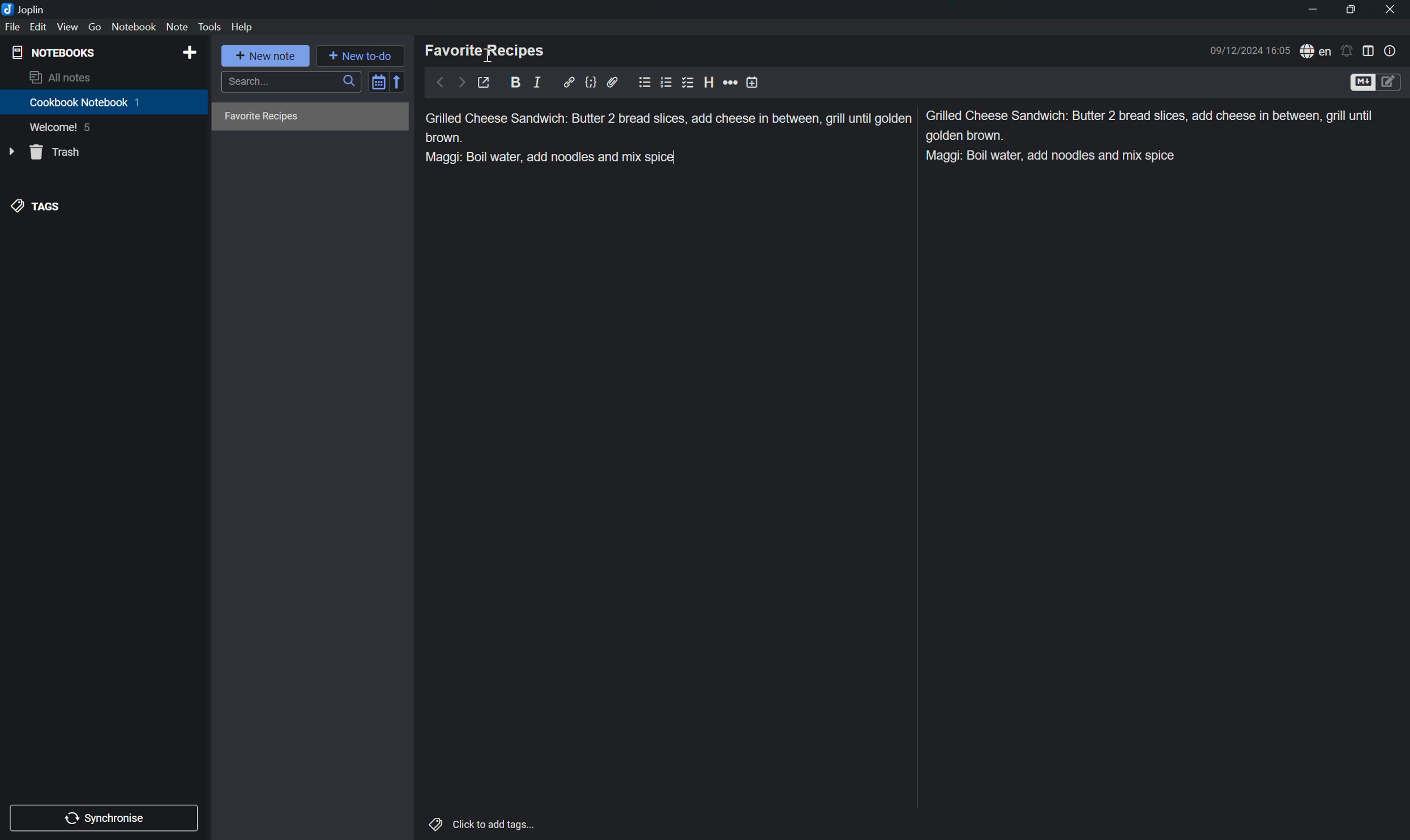 The width and height of the screenshot is (1410, 840). I want to click on Maggi: Boil water, add noodles and mix spice, so click(1053, 156).